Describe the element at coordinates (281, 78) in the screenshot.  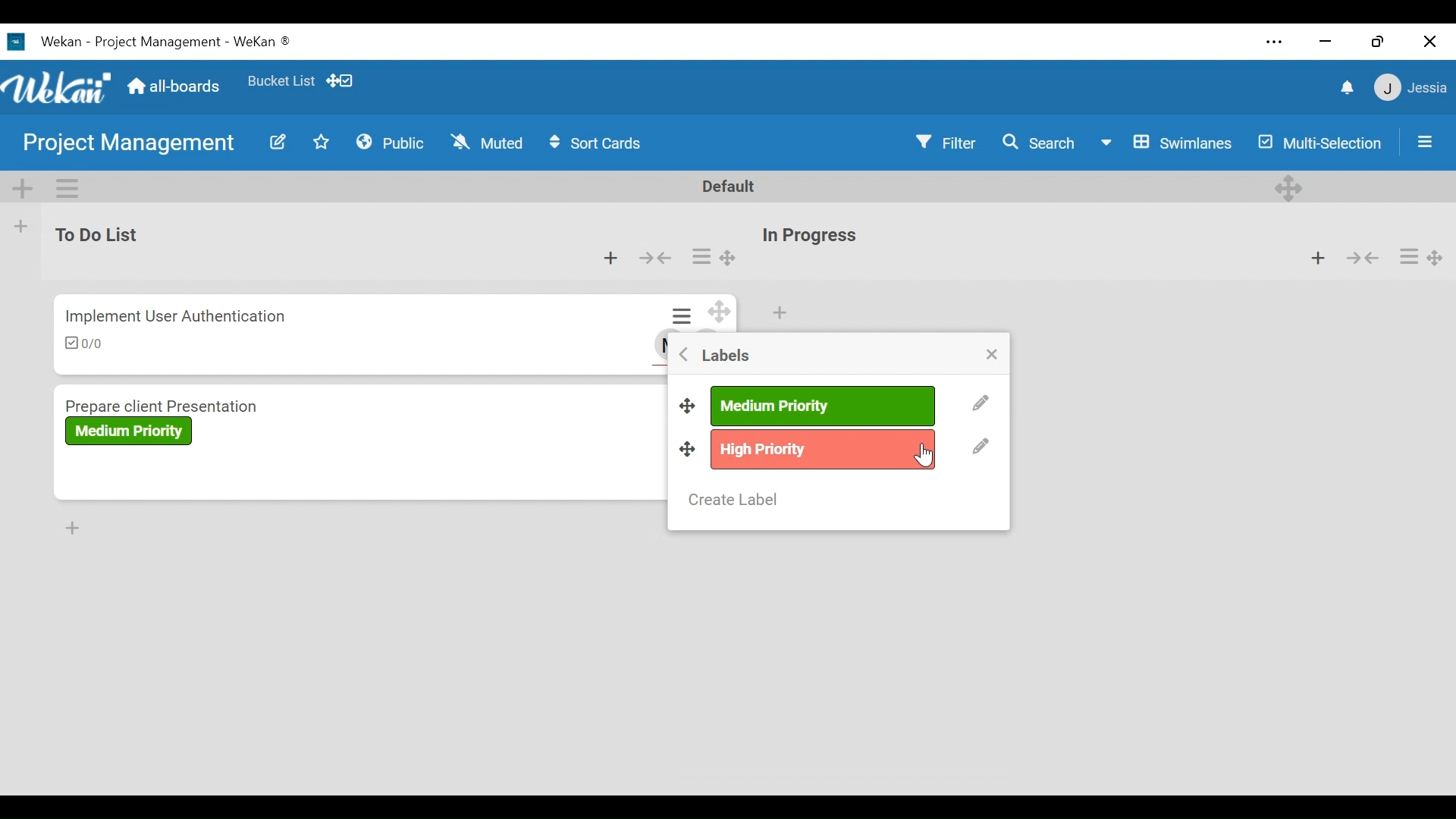
I see `Favorites` at that location.